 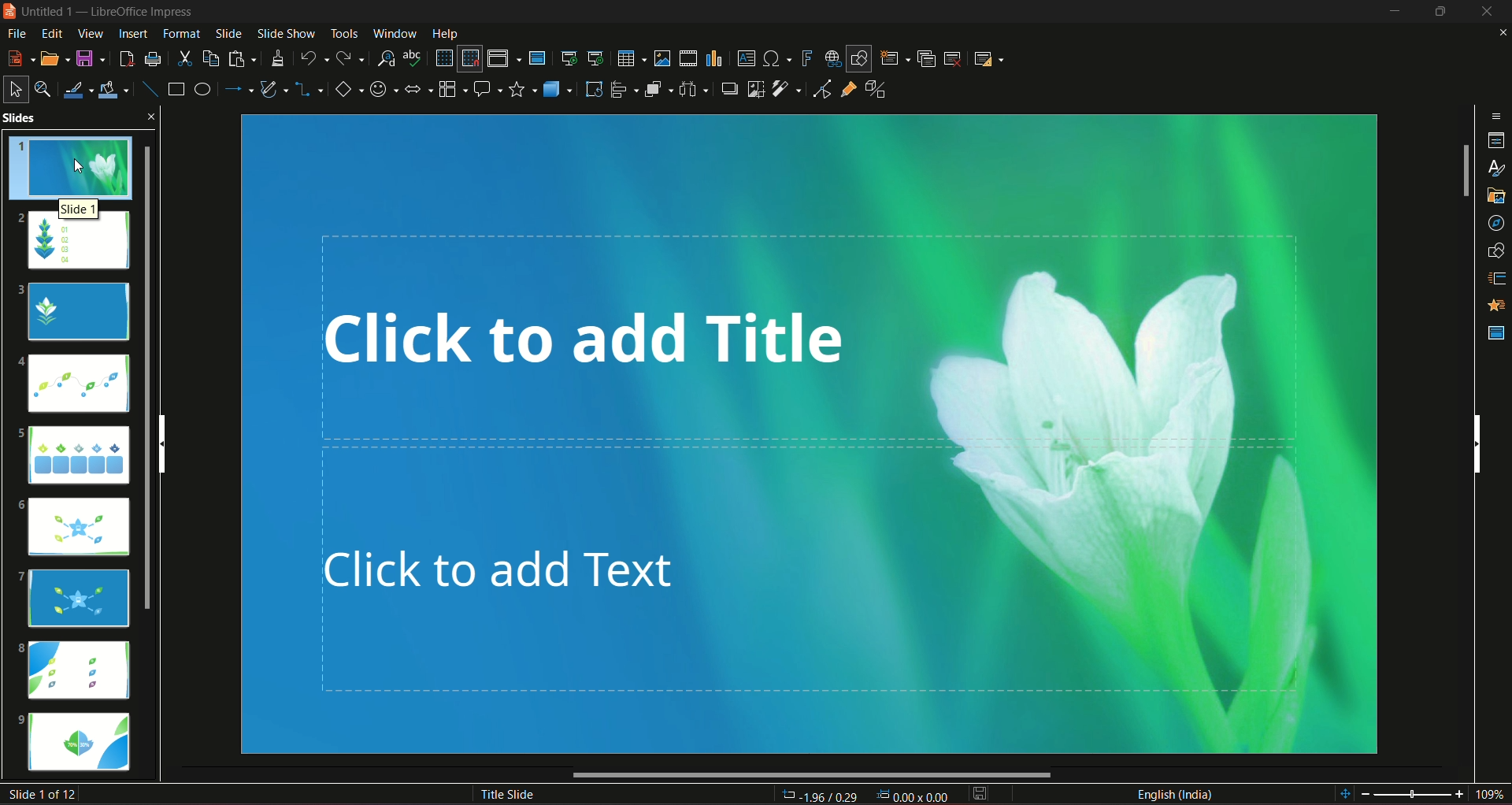 What do you see at coordinates (488, 88) in the screenshot?
I see `callout shapes` at bounding box center [488, 88].